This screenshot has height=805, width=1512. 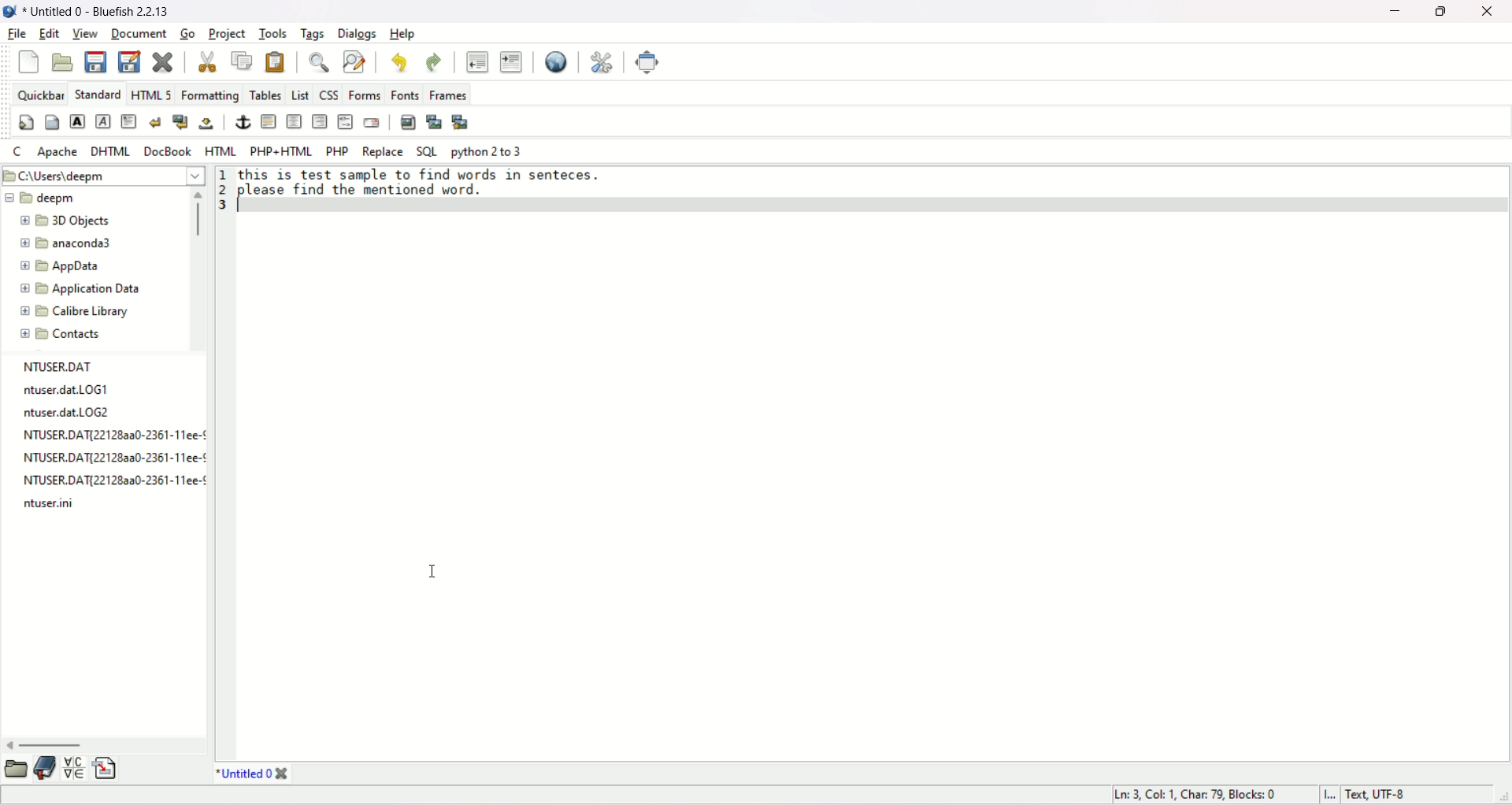 I want to click on python 2 to 3, so click(x=487, y=152).